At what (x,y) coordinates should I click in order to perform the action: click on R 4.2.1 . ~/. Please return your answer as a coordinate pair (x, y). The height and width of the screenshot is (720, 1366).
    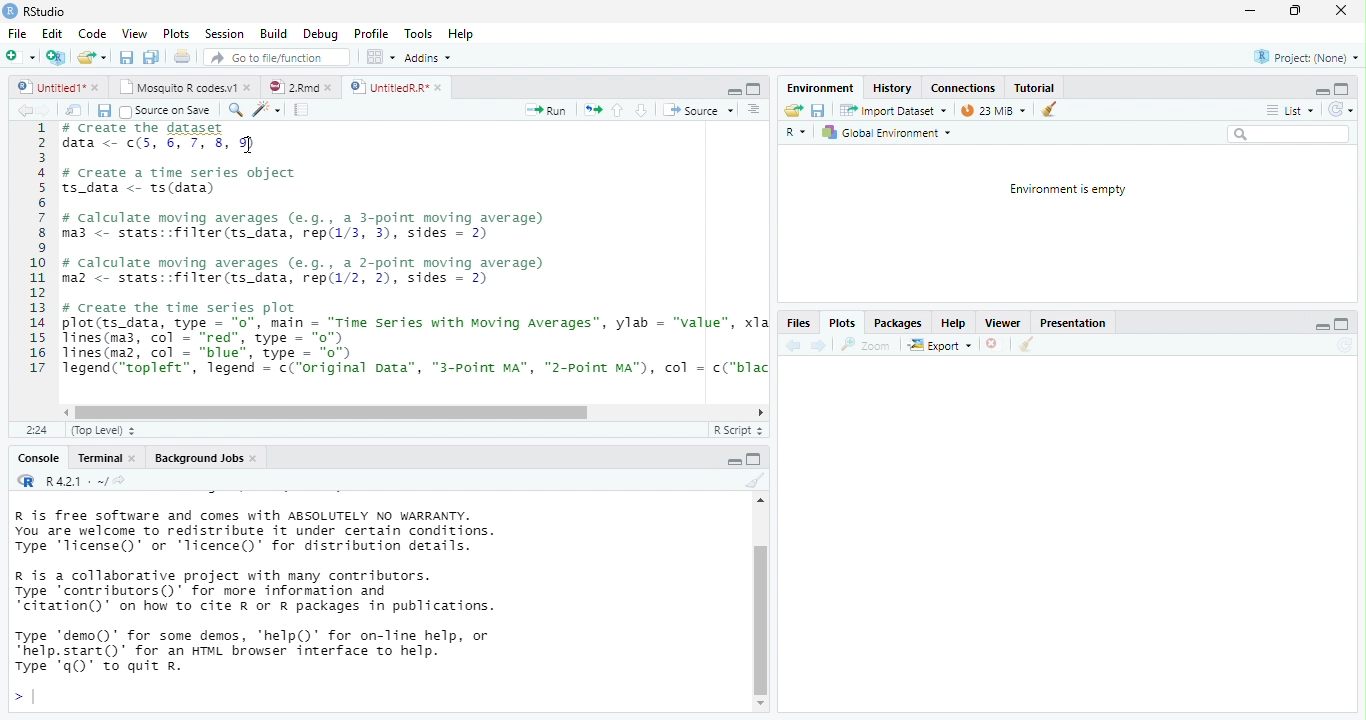
    Looking at the image, I should click on (74, 480).